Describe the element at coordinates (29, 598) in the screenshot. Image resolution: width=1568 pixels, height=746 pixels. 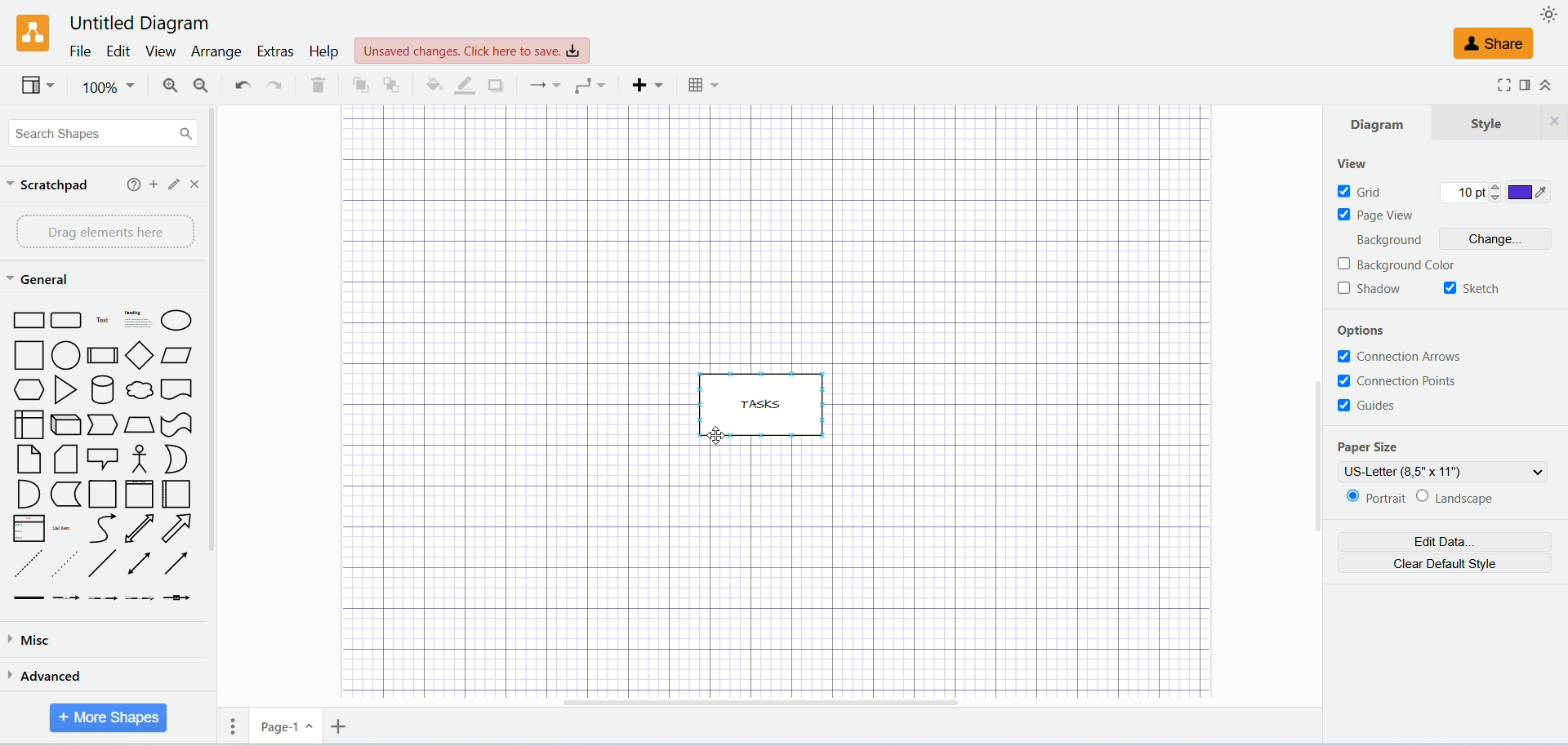
I see `Link` at that location.